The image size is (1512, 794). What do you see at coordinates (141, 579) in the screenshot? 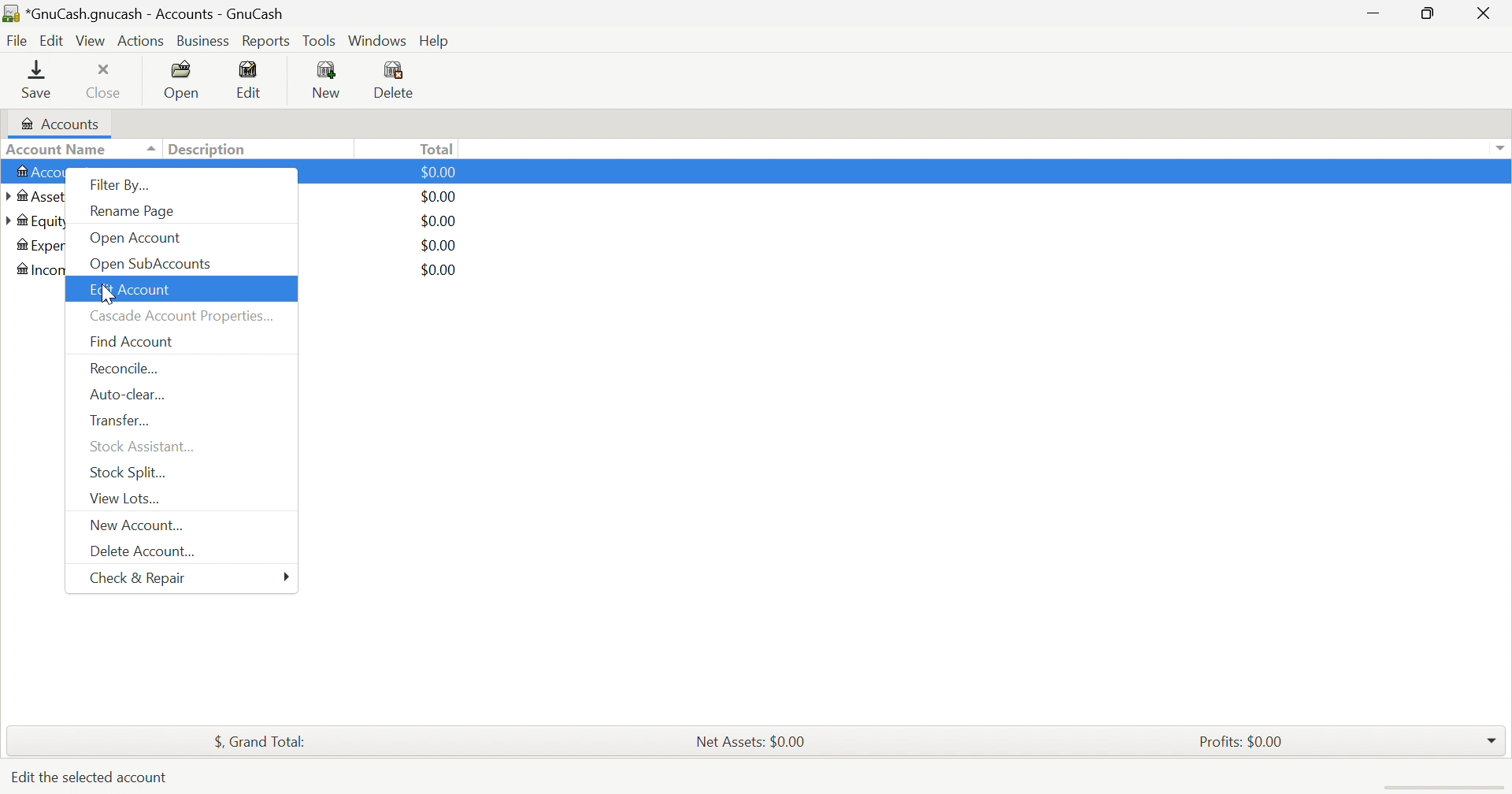
I see `Check & Repair` at bounding box center [141, 579].